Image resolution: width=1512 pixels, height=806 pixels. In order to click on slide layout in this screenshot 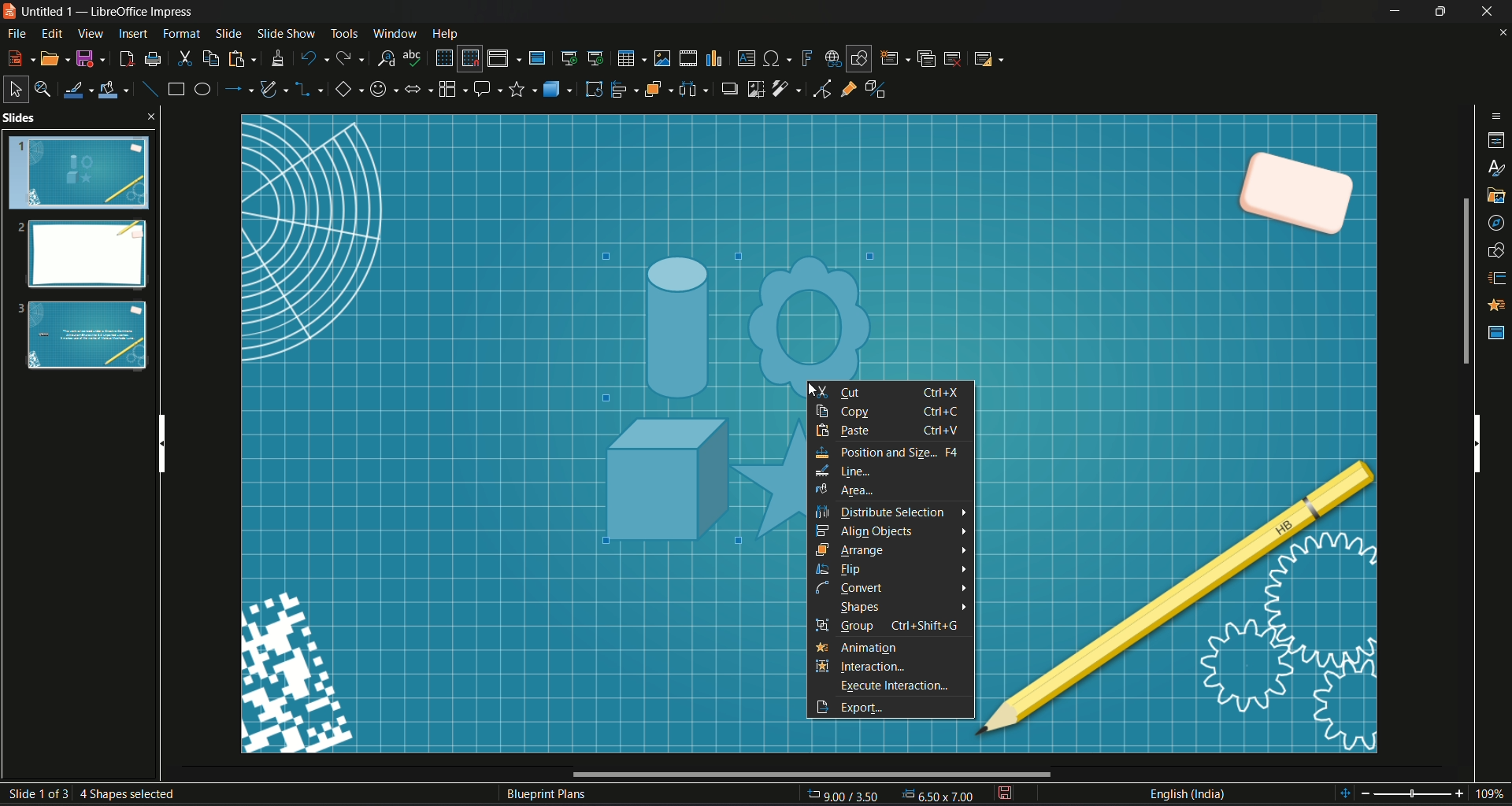, I will do `click(987, 58)`.